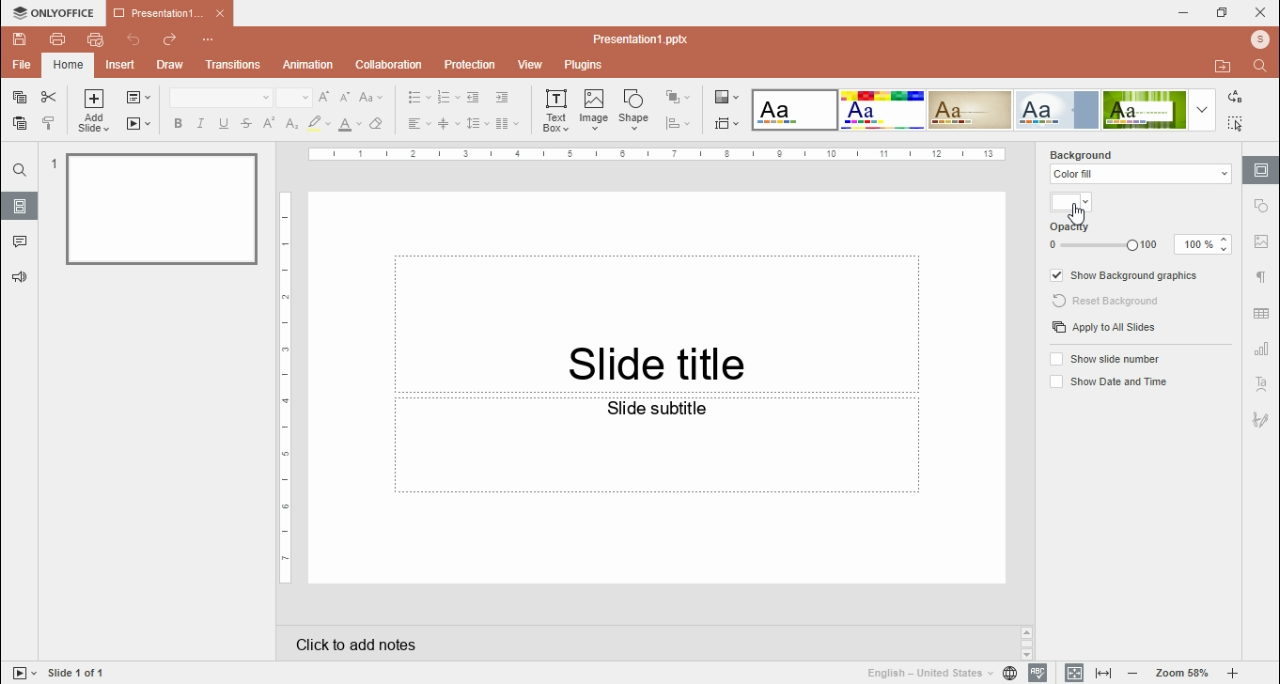 The image size is (1280, 684). What do you see at coordinates (726, 97) in the screenshot?
I see `change color theme` at bounding box center [726, 97].